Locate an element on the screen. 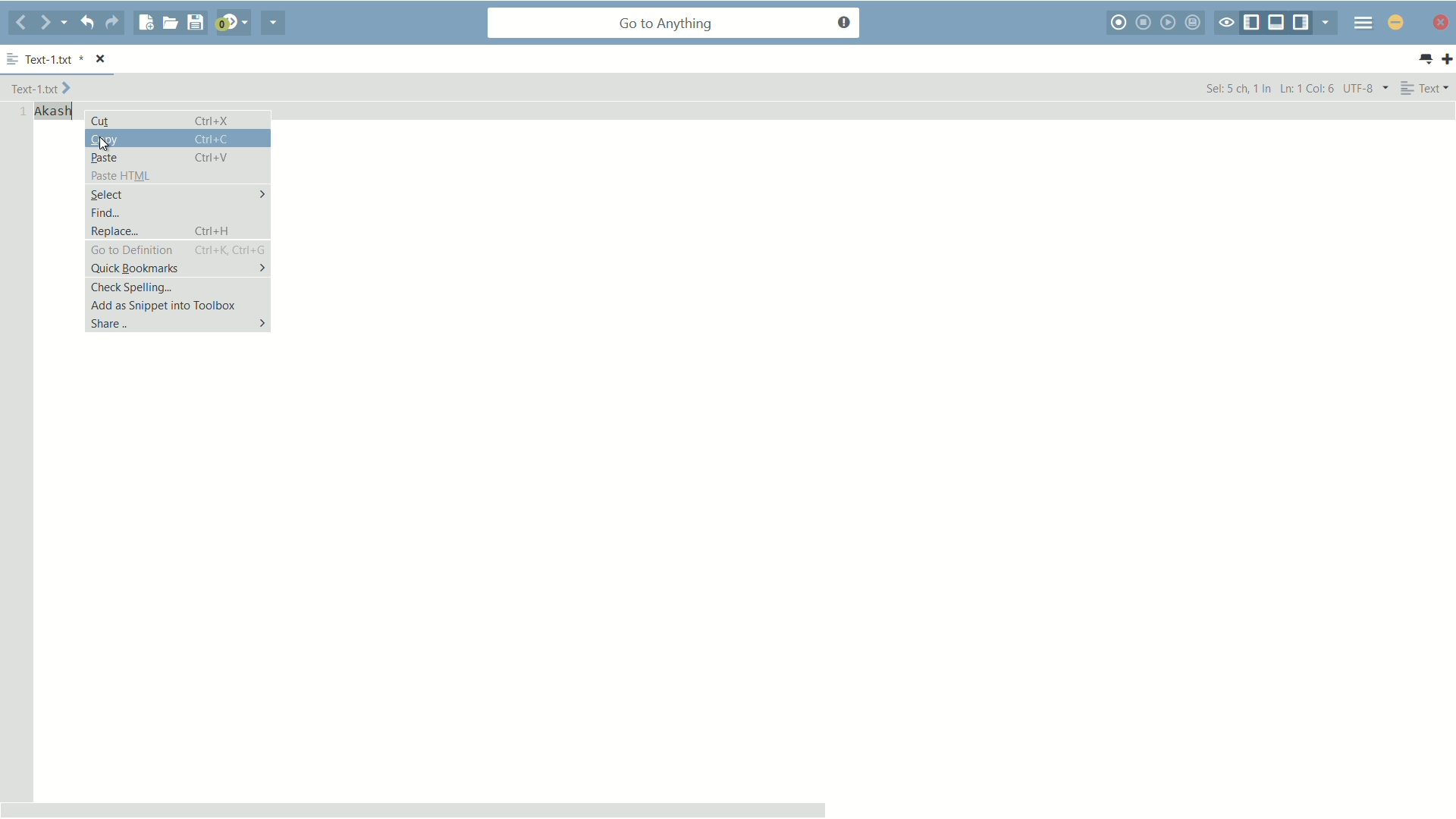 This screenshot has height=819, width=1456. open file is located at coordinates (170, 23).